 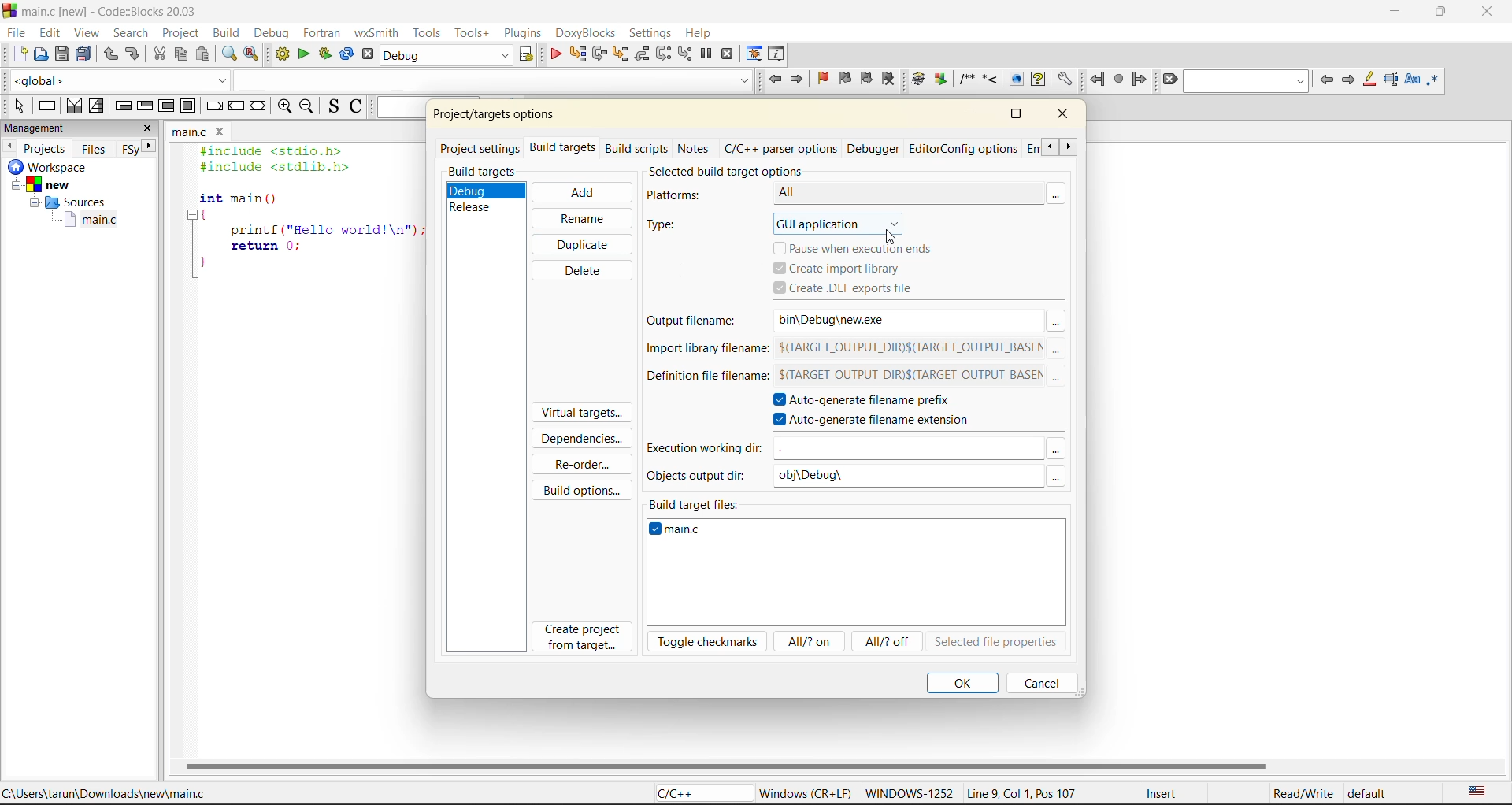 I want to click on debugging windows, so click(x=754, y=54).